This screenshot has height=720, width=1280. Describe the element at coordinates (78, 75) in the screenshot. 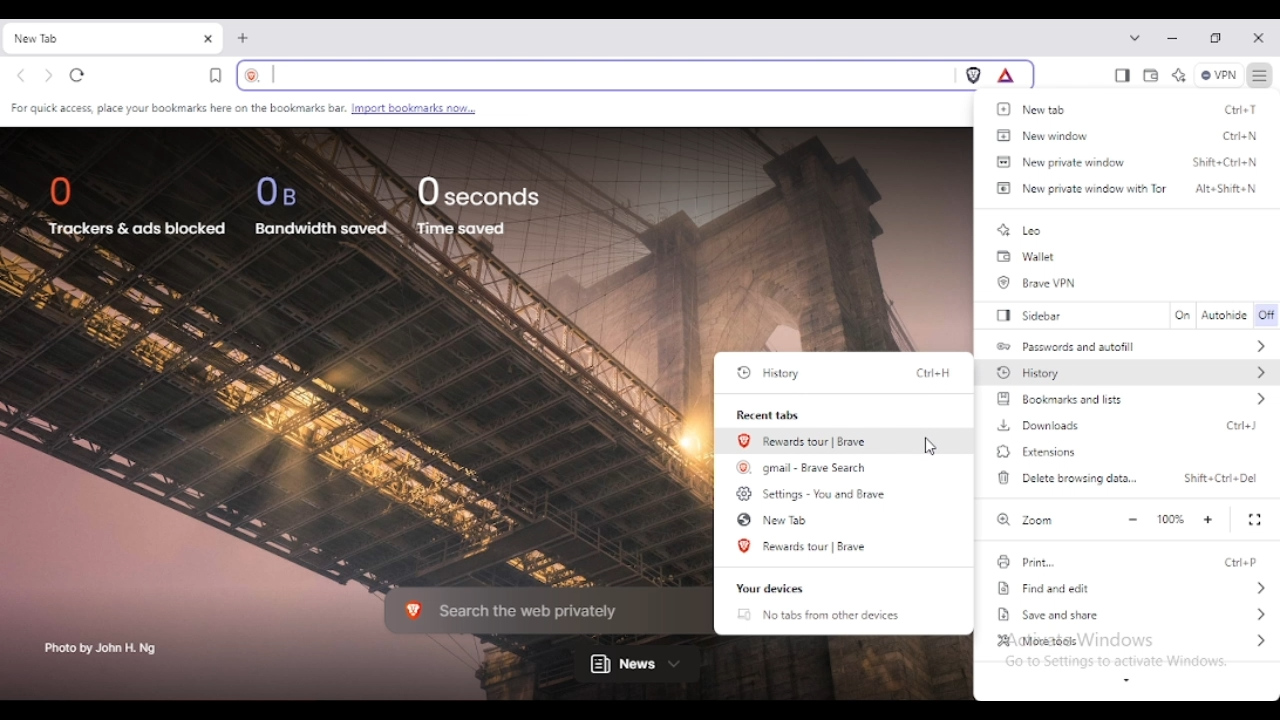

I see `reload this page` at that location.